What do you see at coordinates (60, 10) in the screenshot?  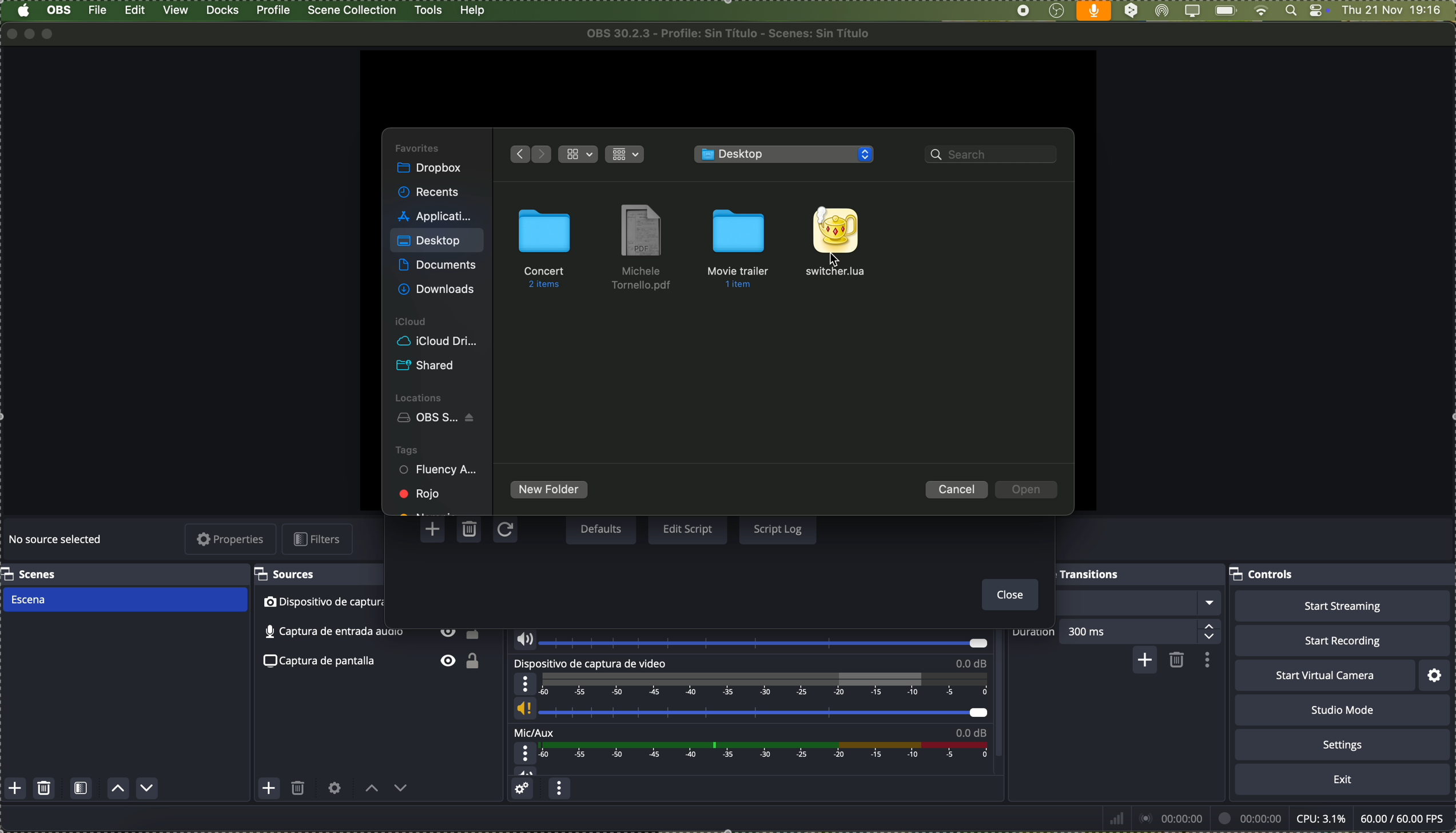 I see `OBS` at bounding box center [60, 10].